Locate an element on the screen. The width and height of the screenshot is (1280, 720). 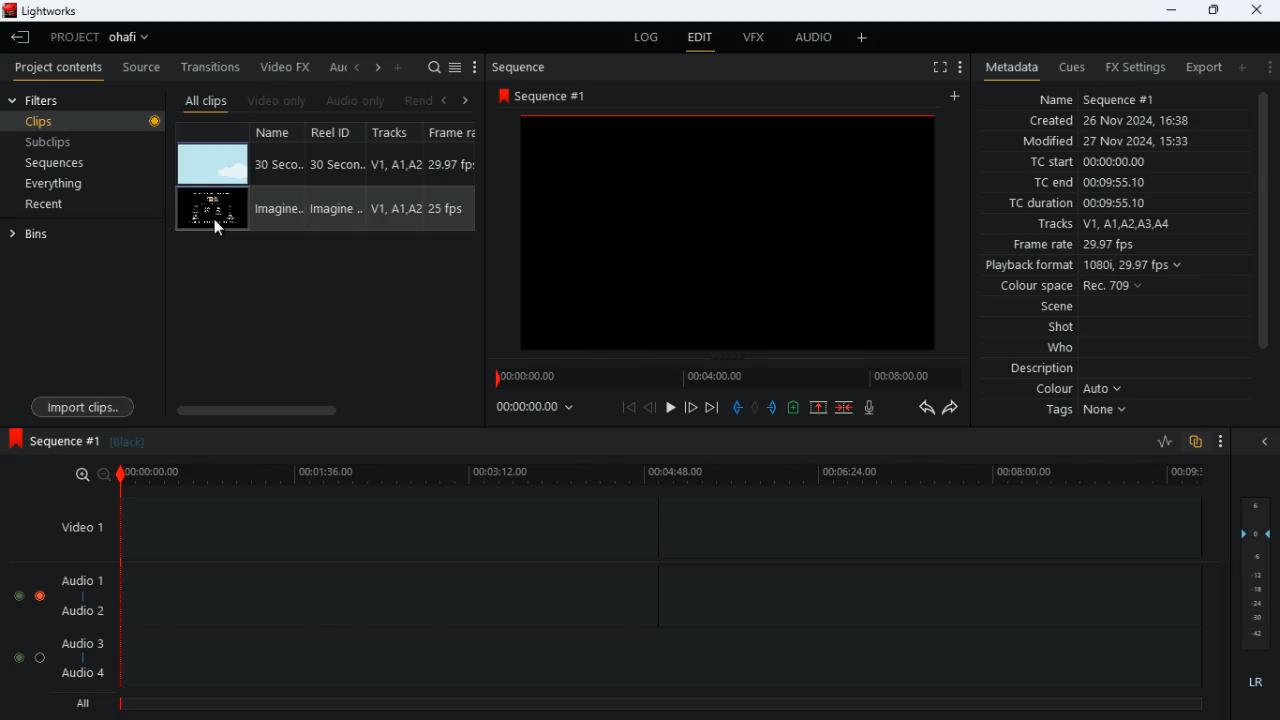
import clips is located at coordinates (86, 405).